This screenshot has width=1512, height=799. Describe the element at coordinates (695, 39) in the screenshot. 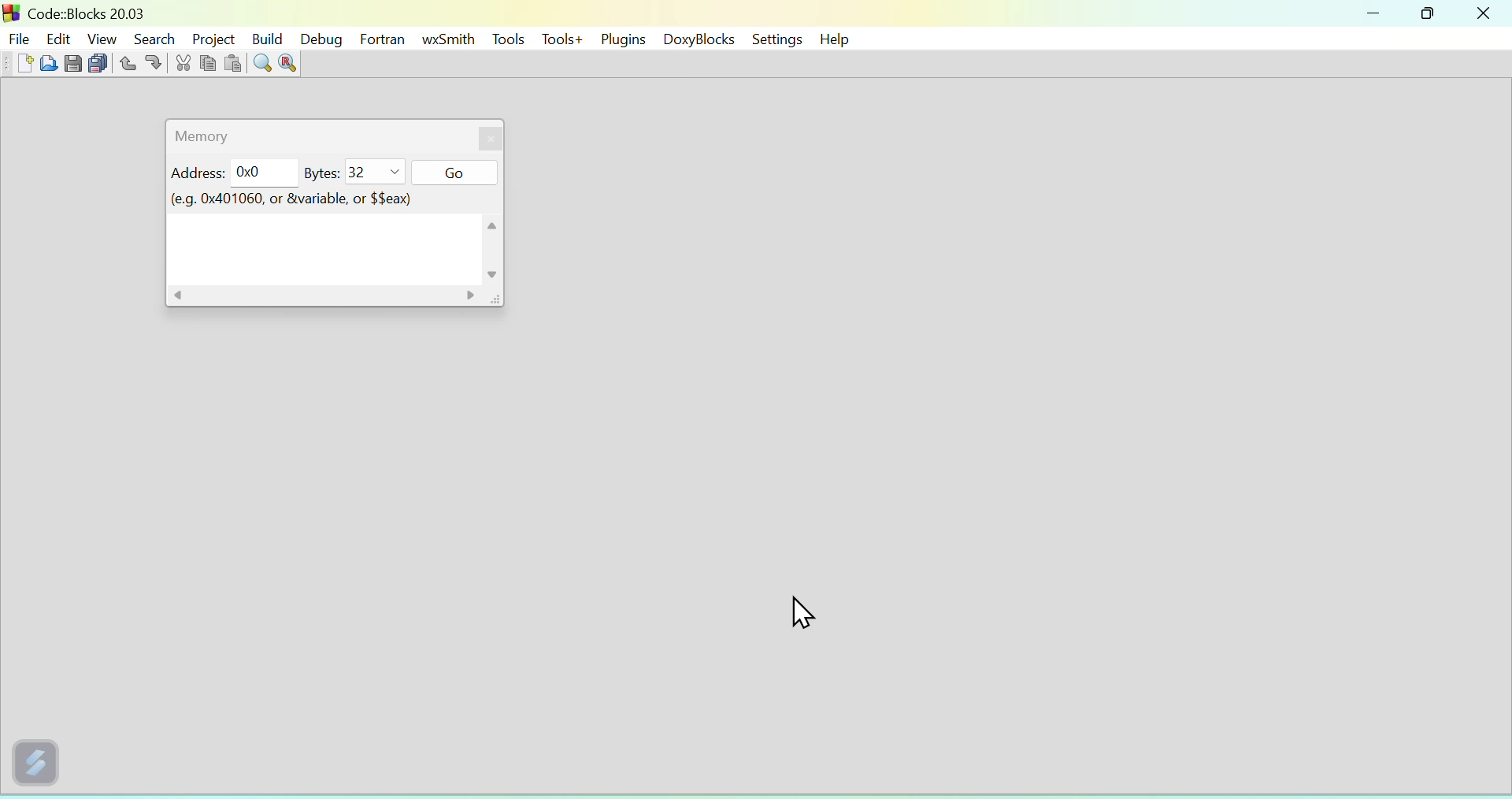

I see `DoxyBlocks` at that location.